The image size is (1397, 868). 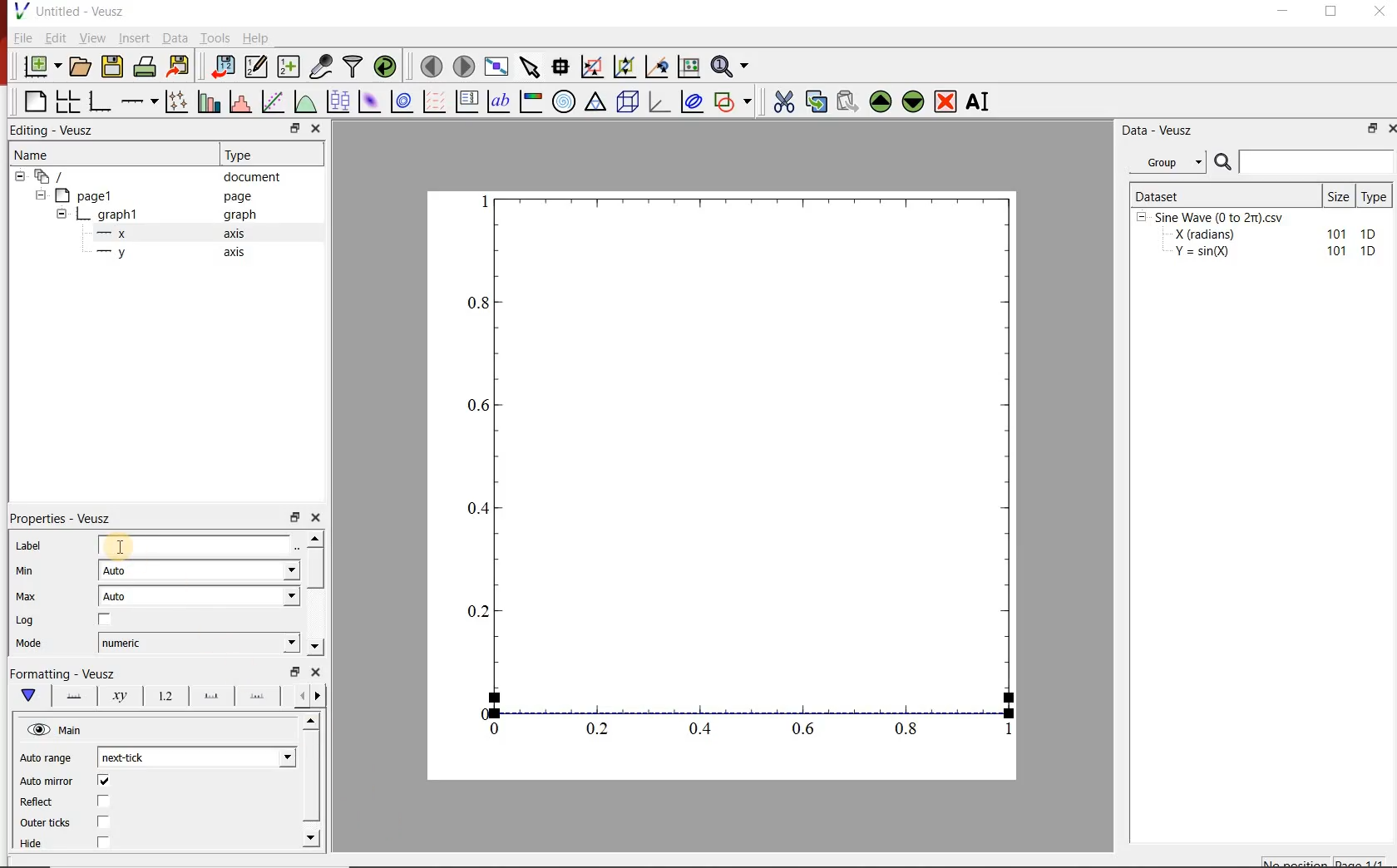 I want to click on Outer ticks, so click(x=45, y=822).